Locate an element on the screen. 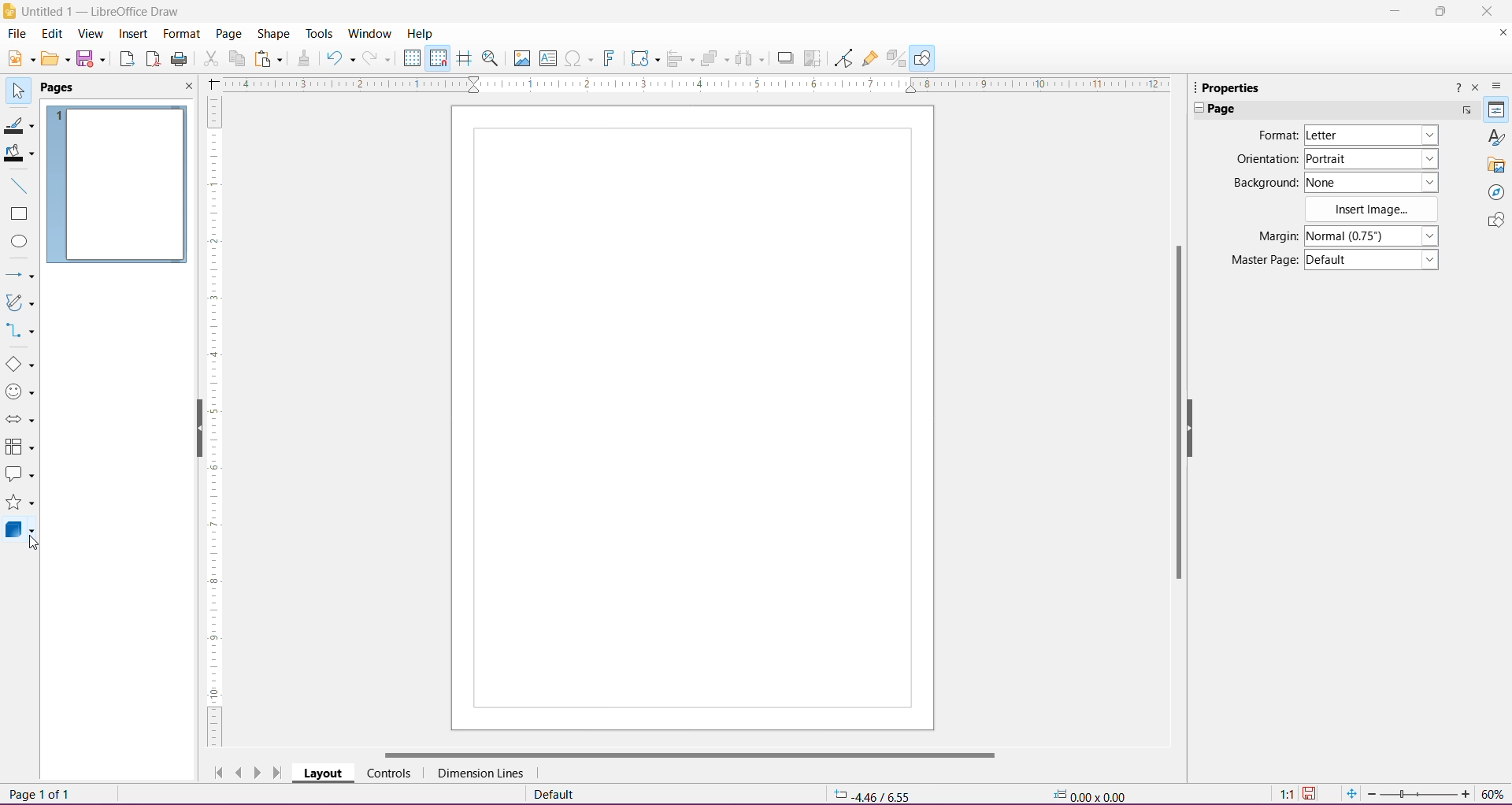 This screenshot has width=1512, height=805. Help is located at coordinates (421, 33).